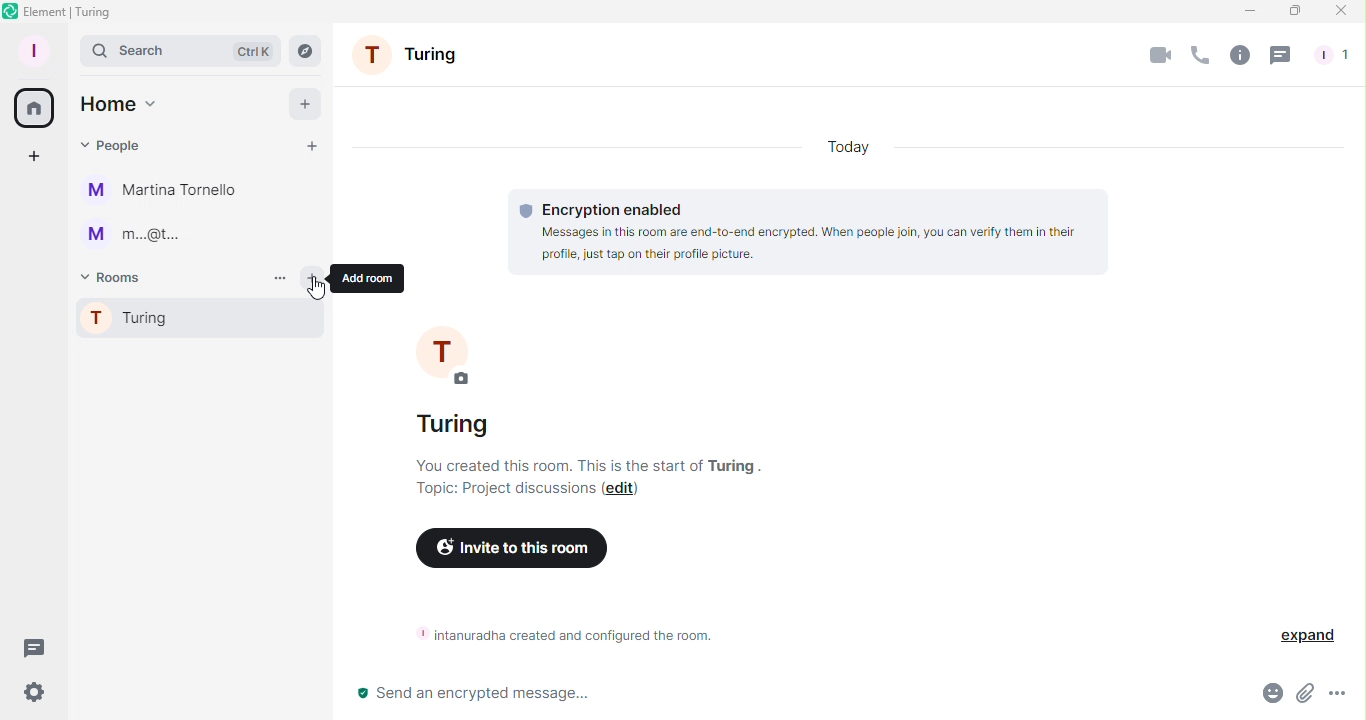 This screenshot has width=1366, height=720. I want to click on Invite to this room, so click(508, 550).